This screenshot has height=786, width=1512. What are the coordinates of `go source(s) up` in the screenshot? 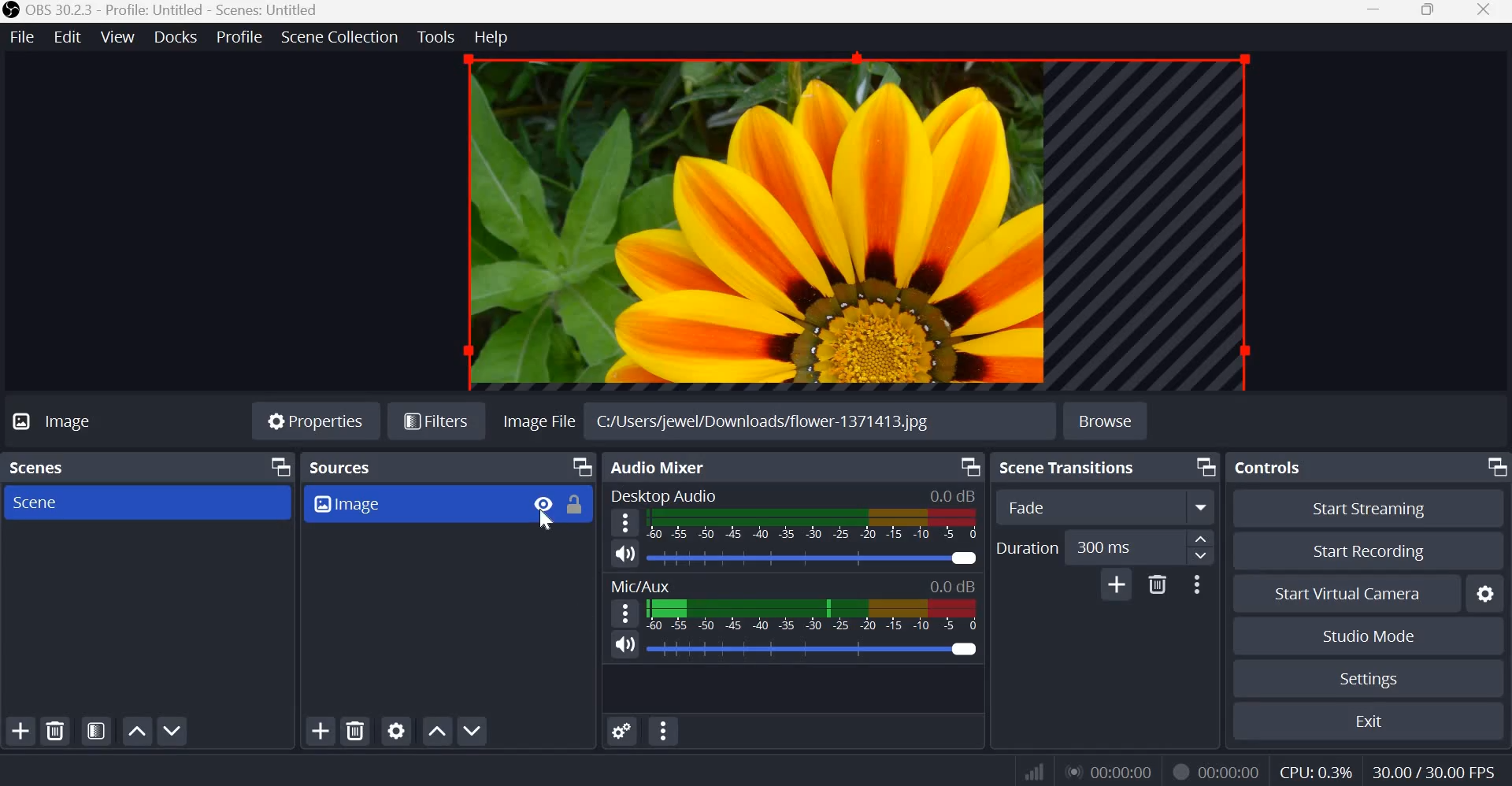 It's located at (435, 731).